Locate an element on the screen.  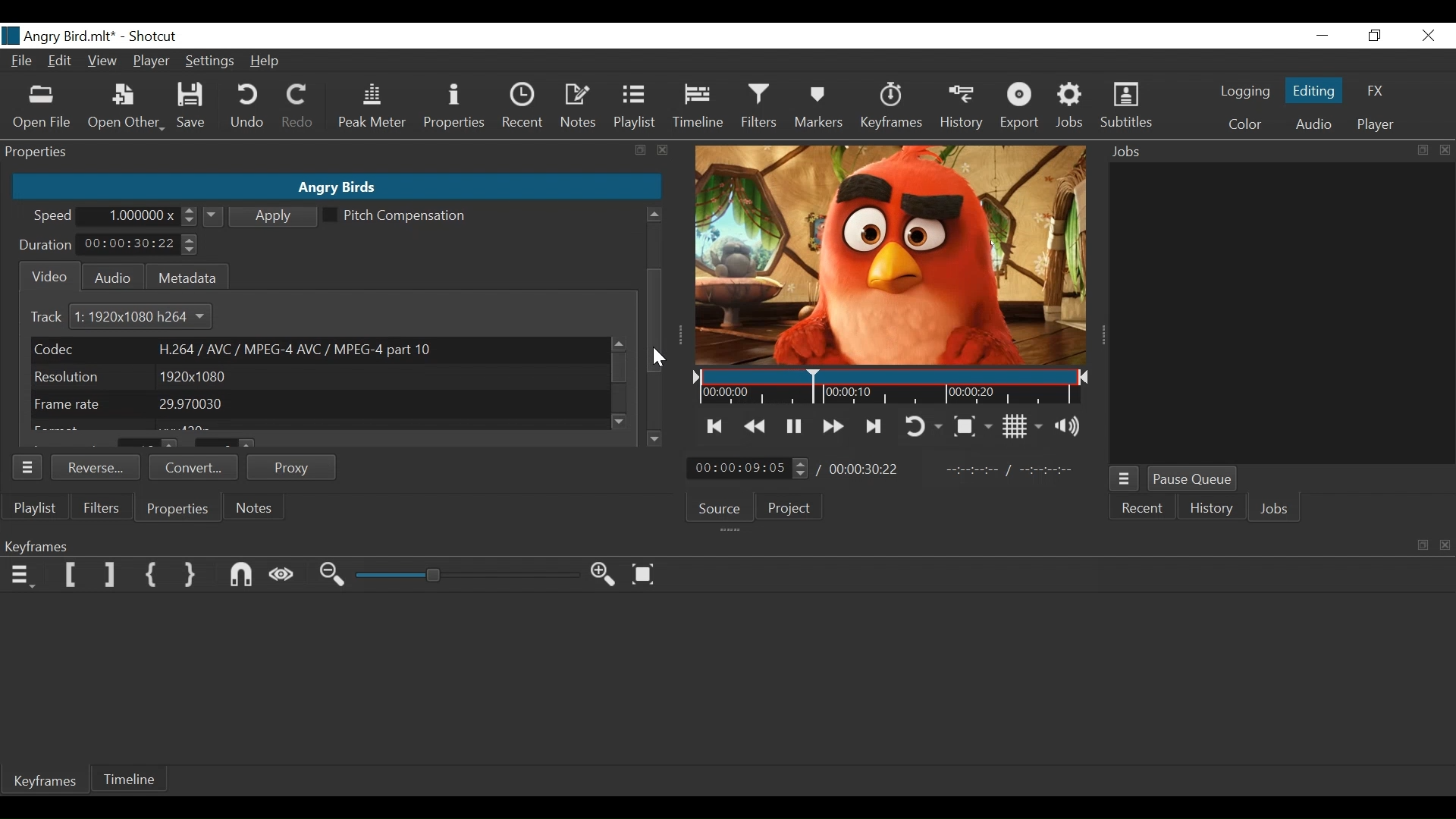
Cursor is located at coordinates (658, 357).